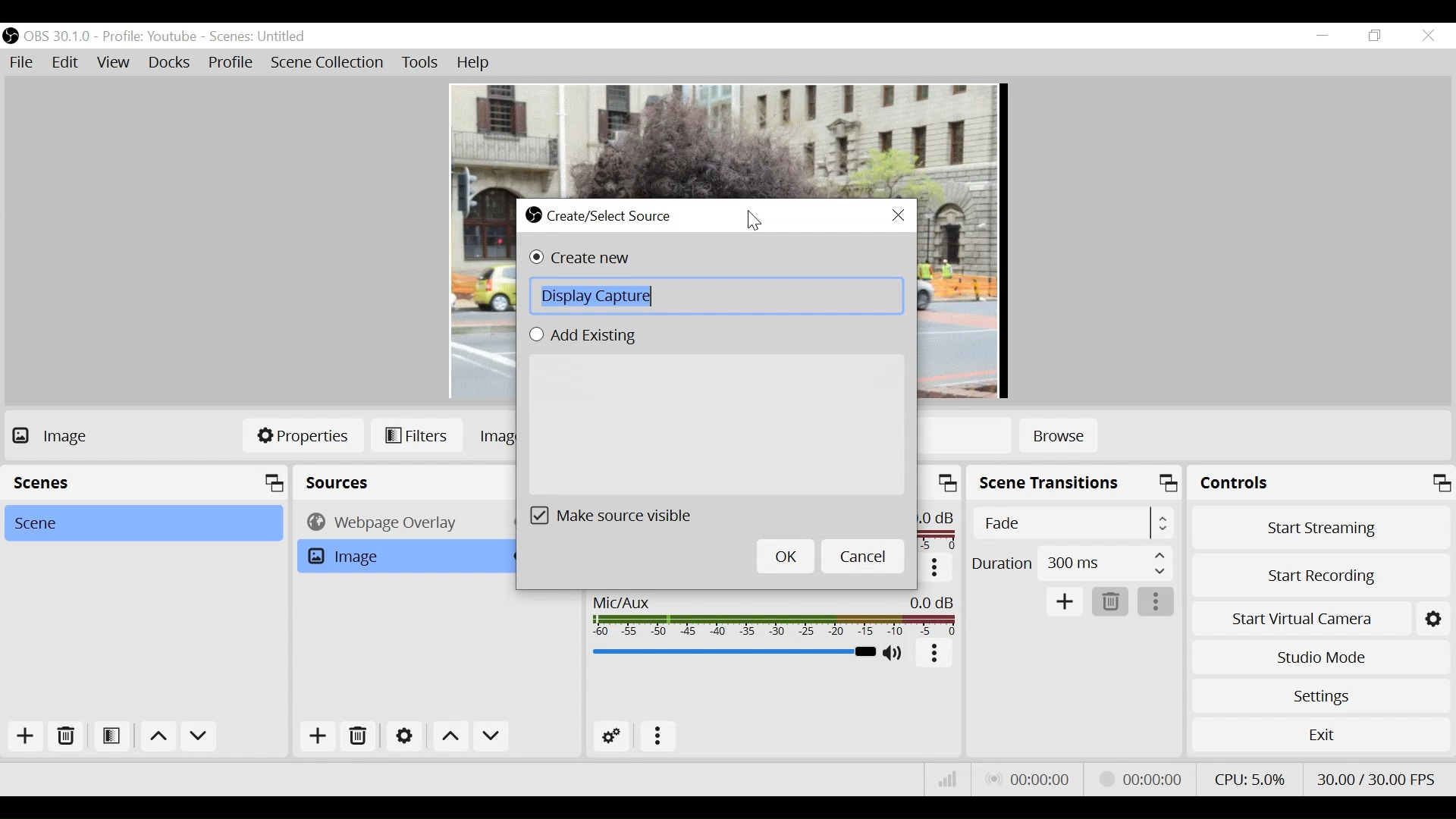 Image resolution: width=1456 pixels, height=819 pixels. What do you see at coordinates (318, 736) in the screenshot?
I see `Add` at bounding box center [318, 736].